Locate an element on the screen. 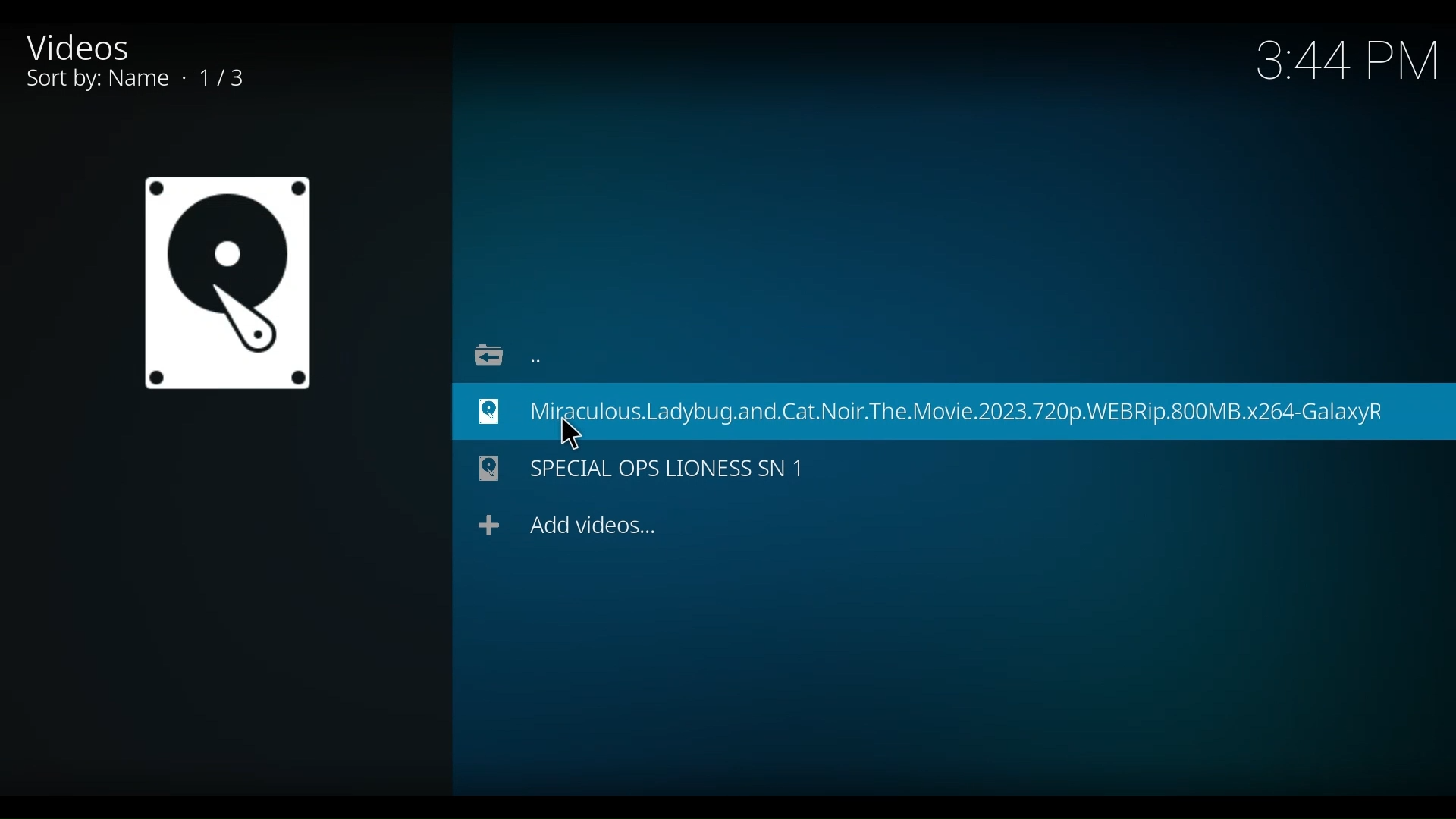 This screenshot has width=1456, height=819. Movie File is located at coordinates (953, 410).